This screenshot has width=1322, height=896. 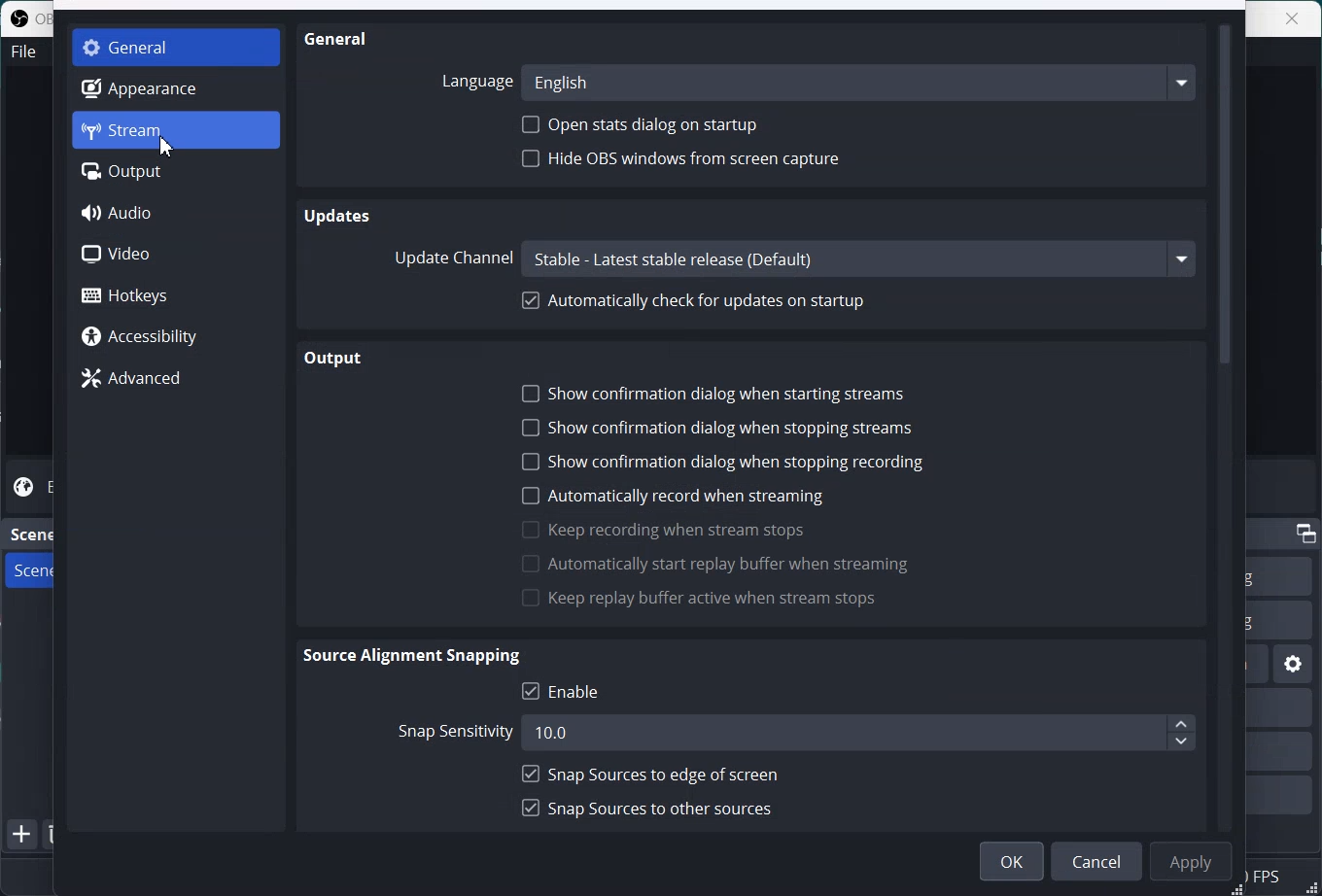 What do you see at coordinates (413, 652) in the screenshot?
I see `Source Alignment Snapping` at bounding box center [413, 652].